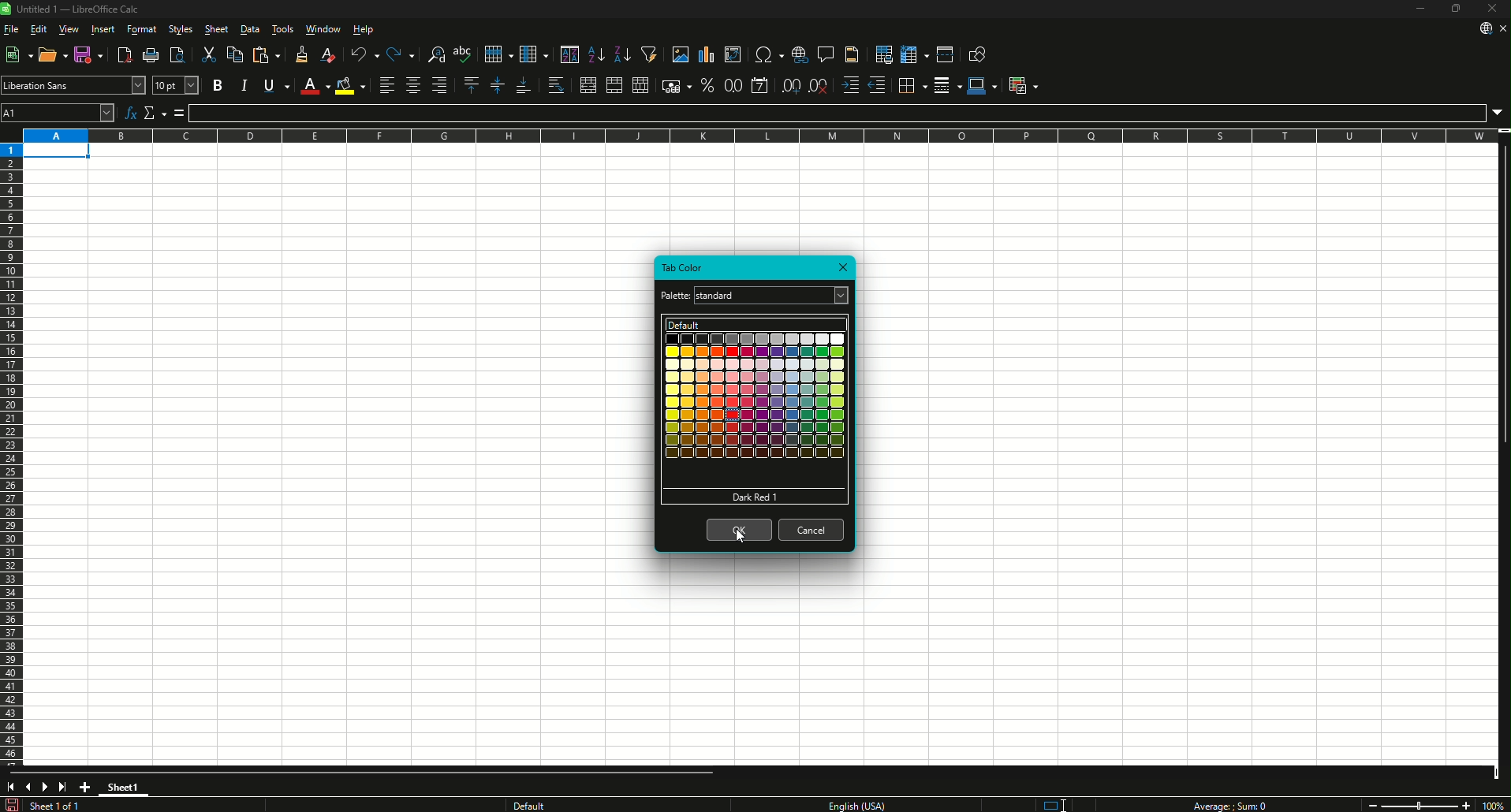 The image size is (1511, 812). What do you see at coordinates (1492, 8) in the screenshot?
I see `Close` at bounding box center [1492, 8].